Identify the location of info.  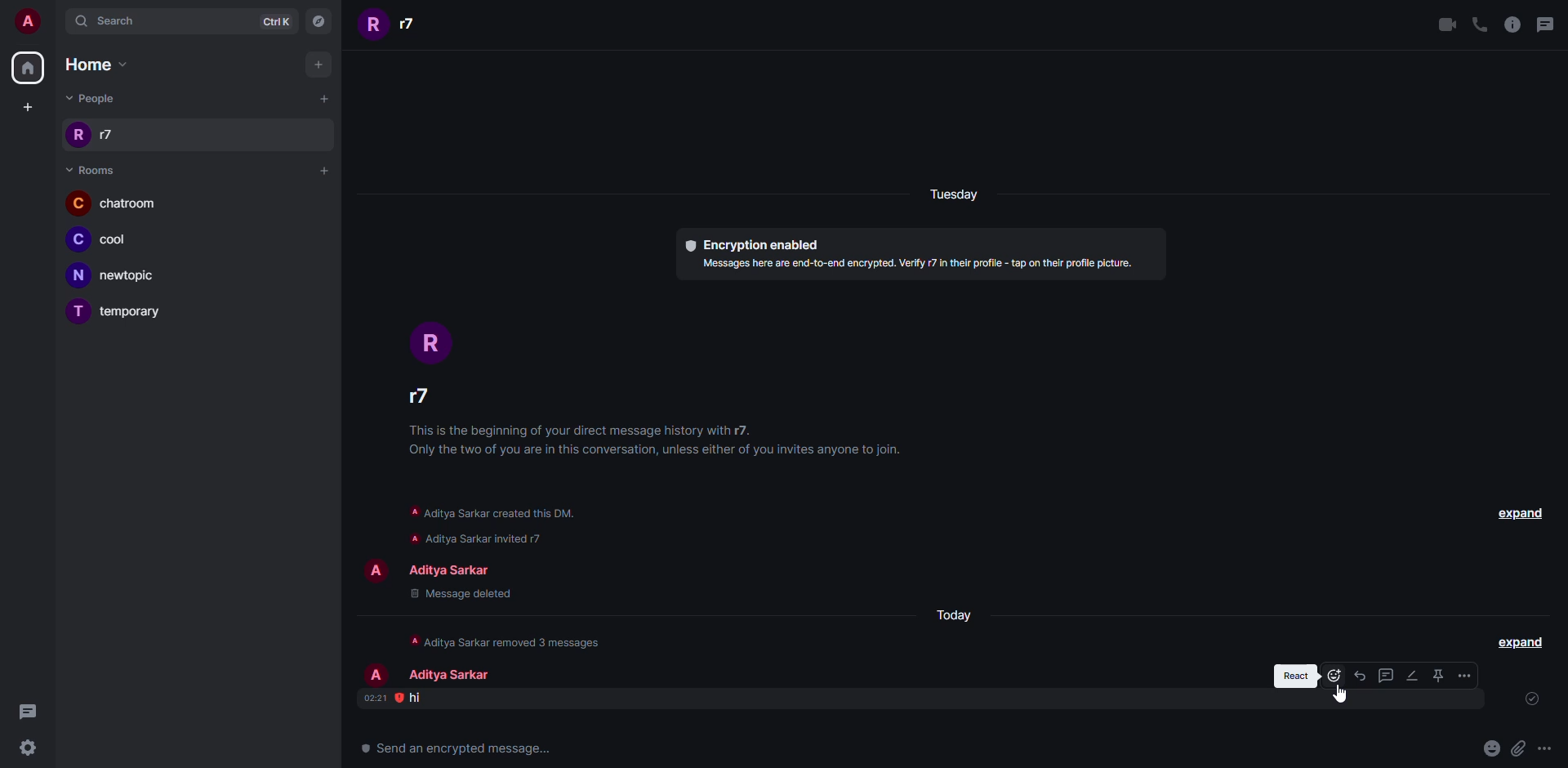
(1512, 25).